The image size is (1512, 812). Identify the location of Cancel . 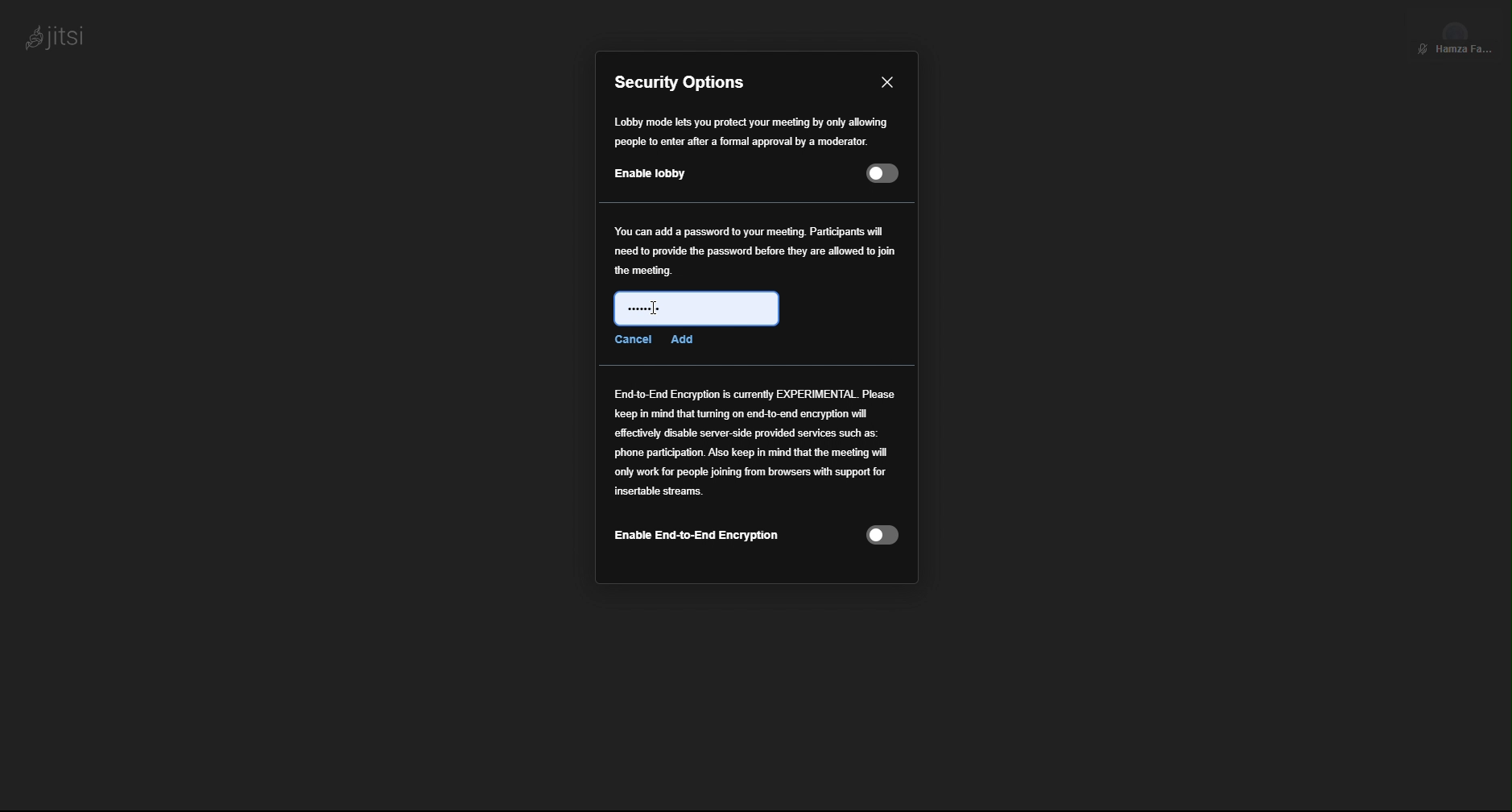
(631, 338).